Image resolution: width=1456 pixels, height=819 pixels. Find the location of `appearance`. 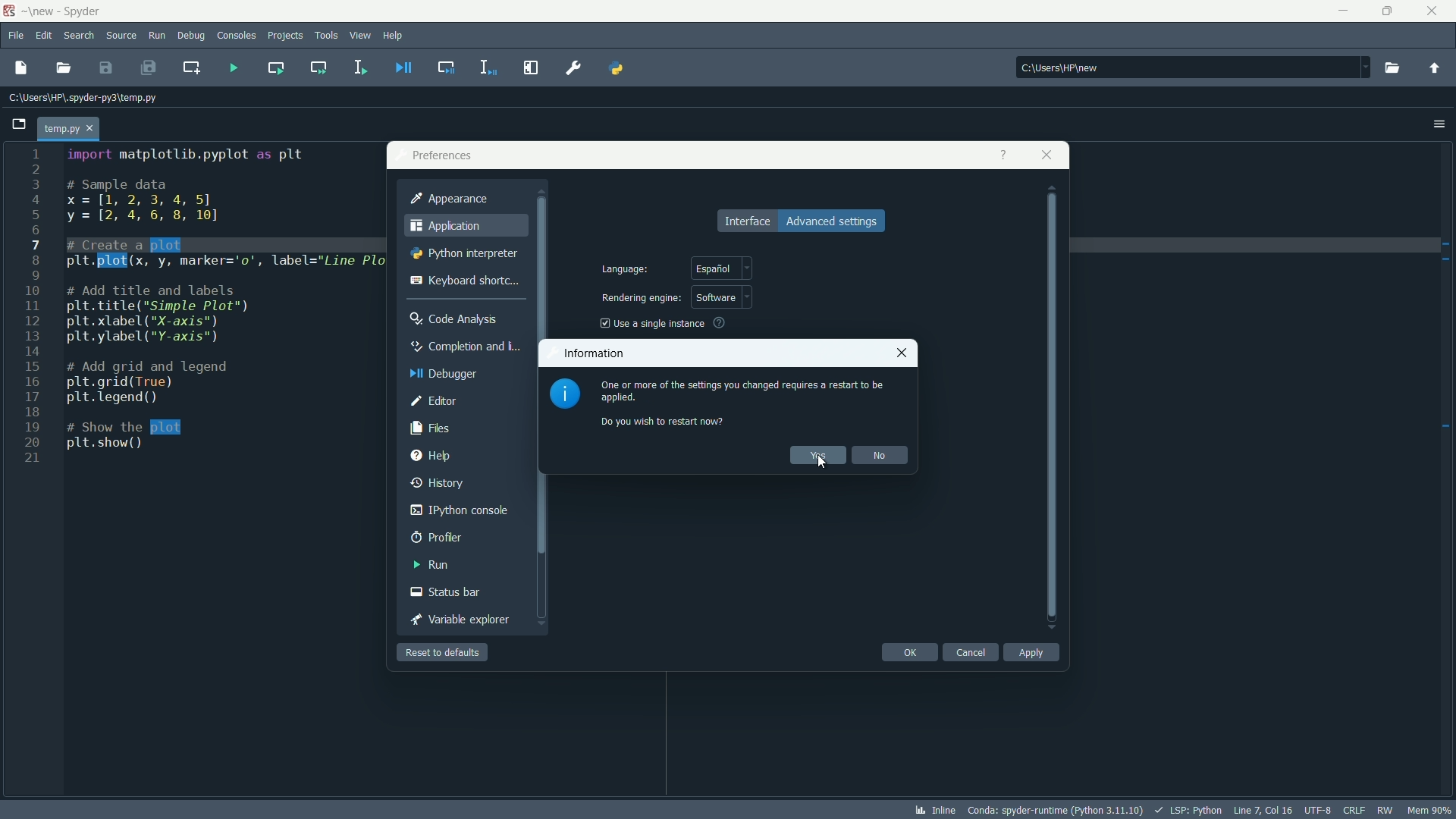

appearance is located at coordinates (450, 199).